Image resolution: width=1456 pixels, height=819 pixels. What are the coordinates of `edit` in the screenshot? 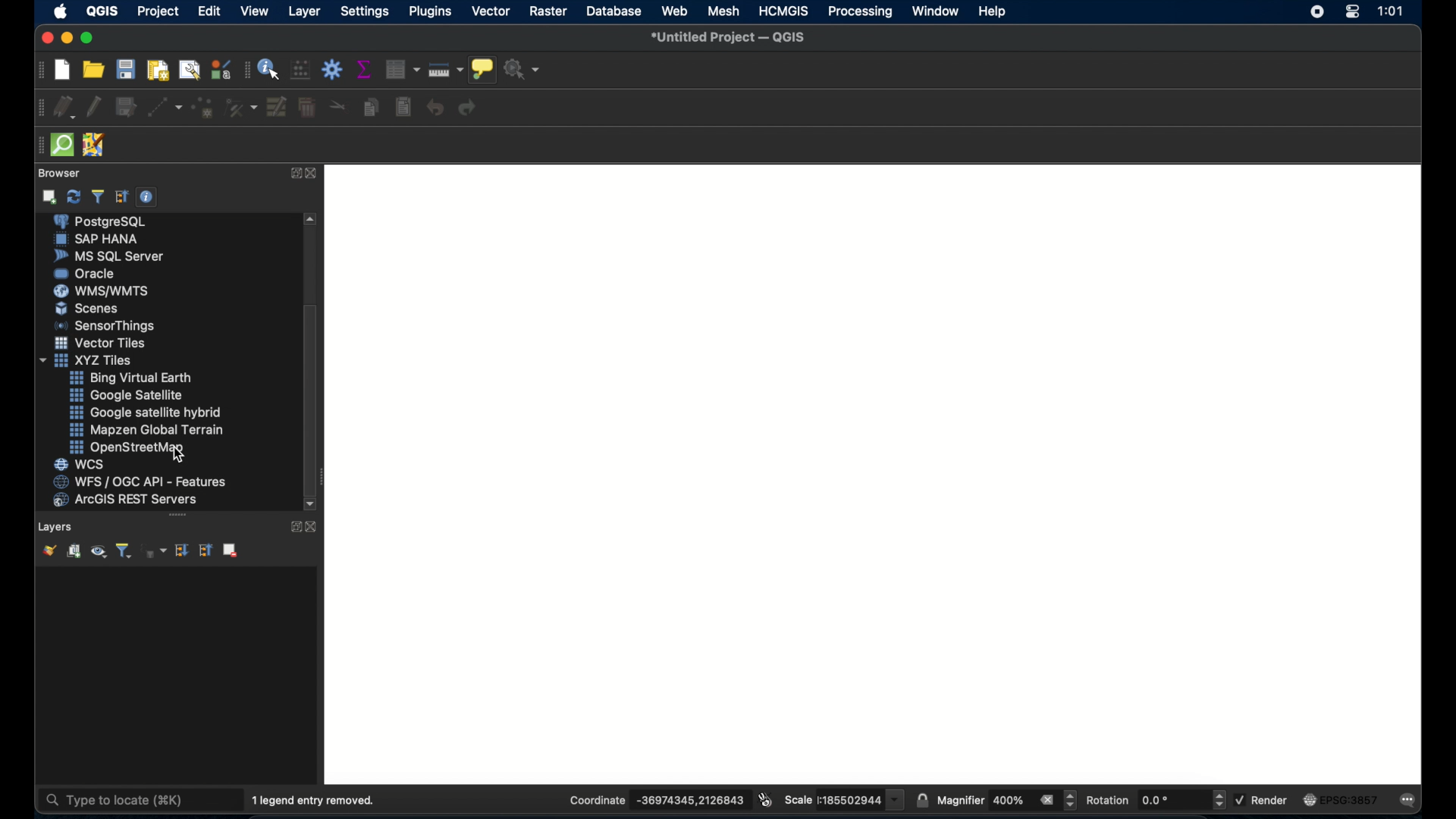 It's located at (209, 11).